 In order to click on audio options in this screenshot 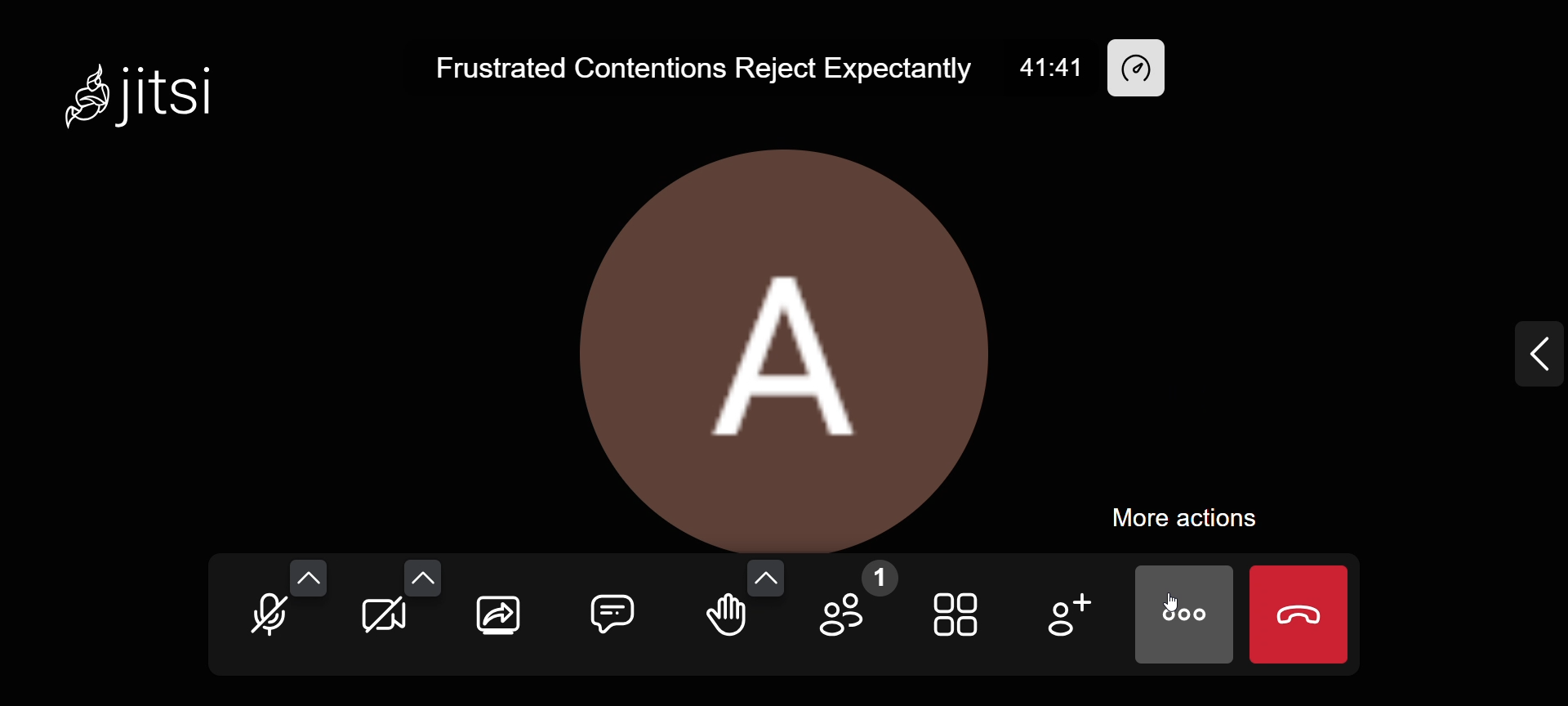, I will do `click(308, 573)`.